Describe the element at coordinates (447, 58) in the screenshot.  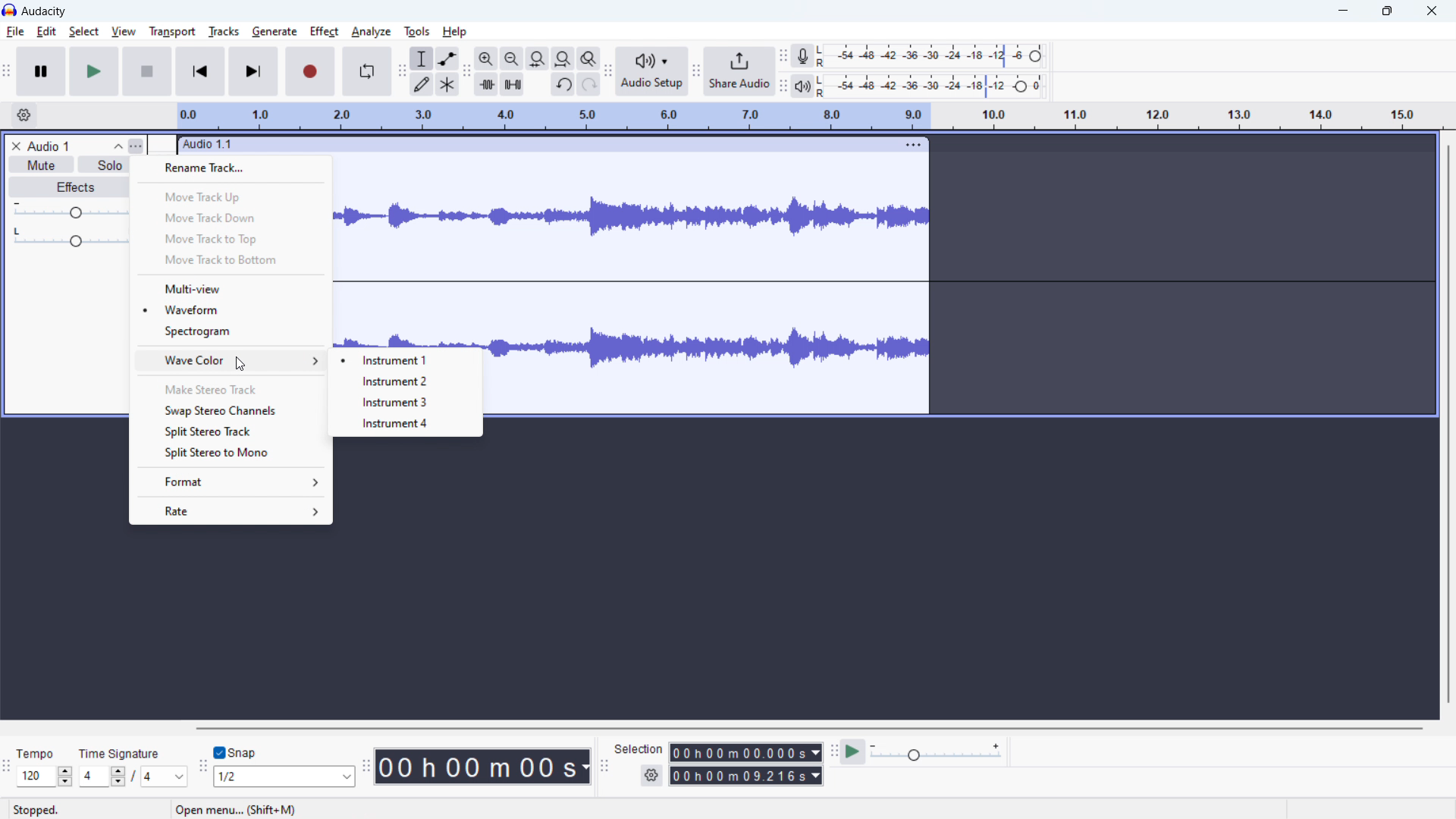
I see `envelop tool` at that location.